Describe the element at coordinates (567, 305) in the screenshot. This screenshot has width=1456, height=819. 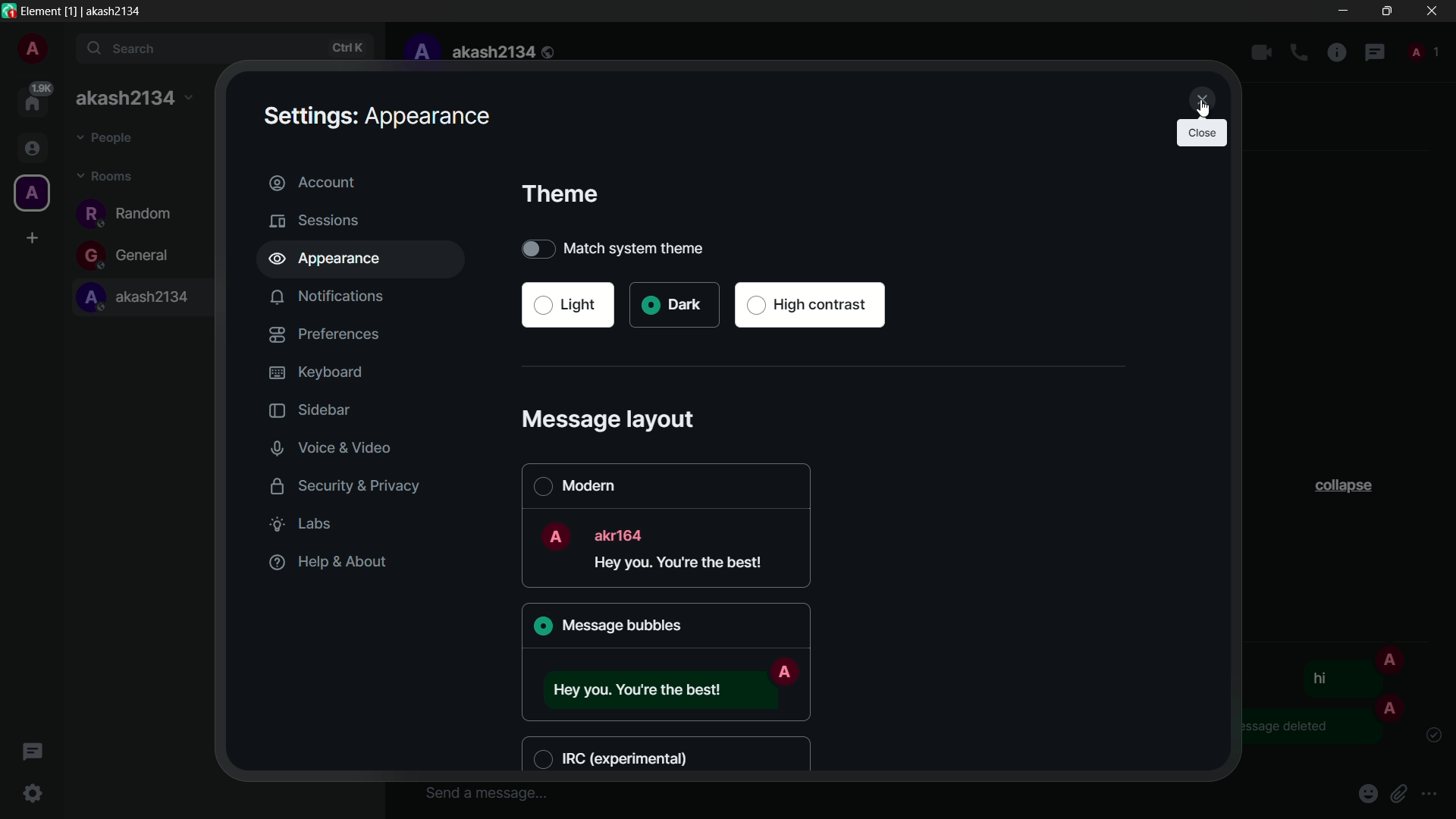
I see `light` at that location.